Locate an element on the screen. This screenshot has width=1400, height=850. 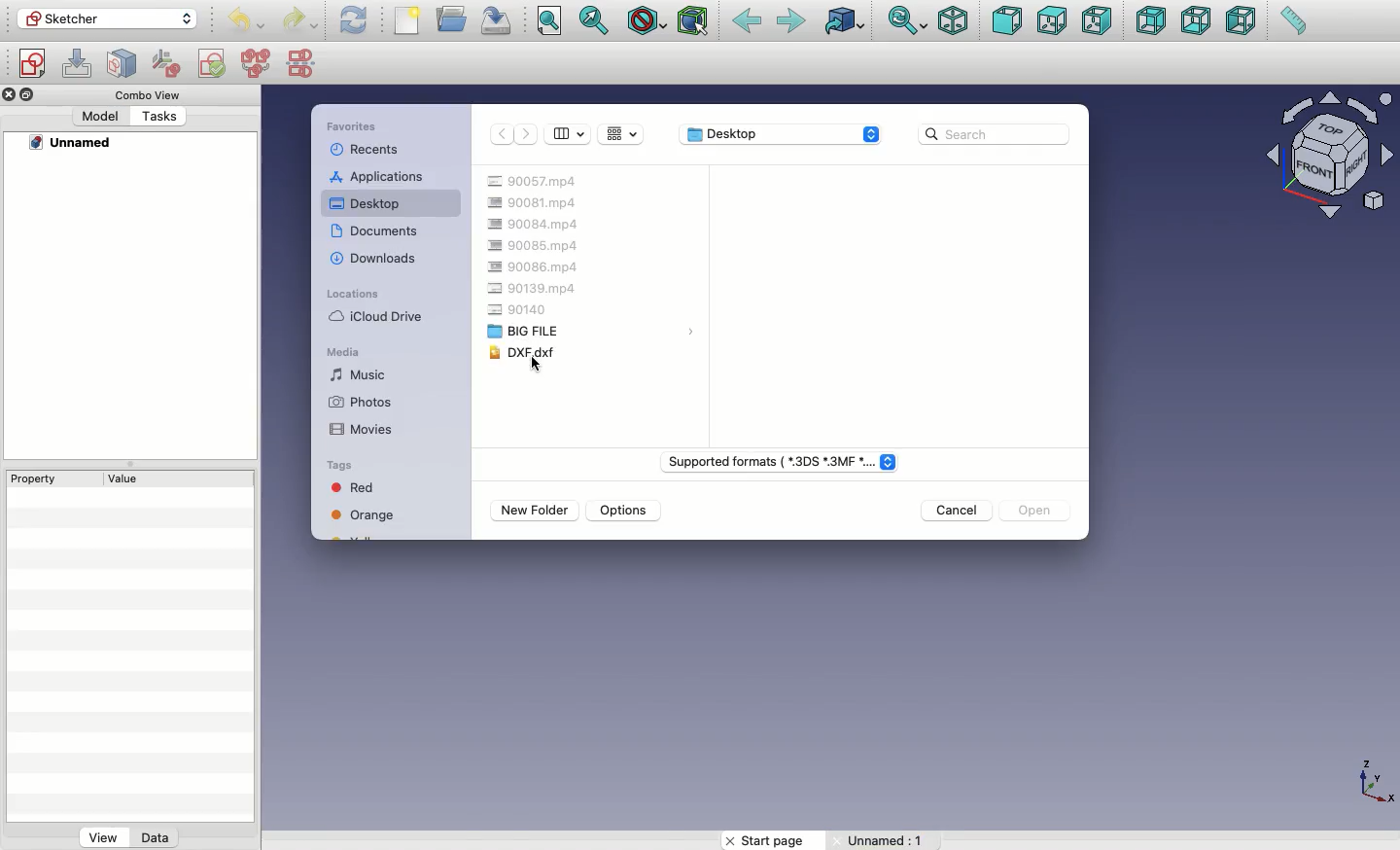
New is located at coordinates (407, 19).